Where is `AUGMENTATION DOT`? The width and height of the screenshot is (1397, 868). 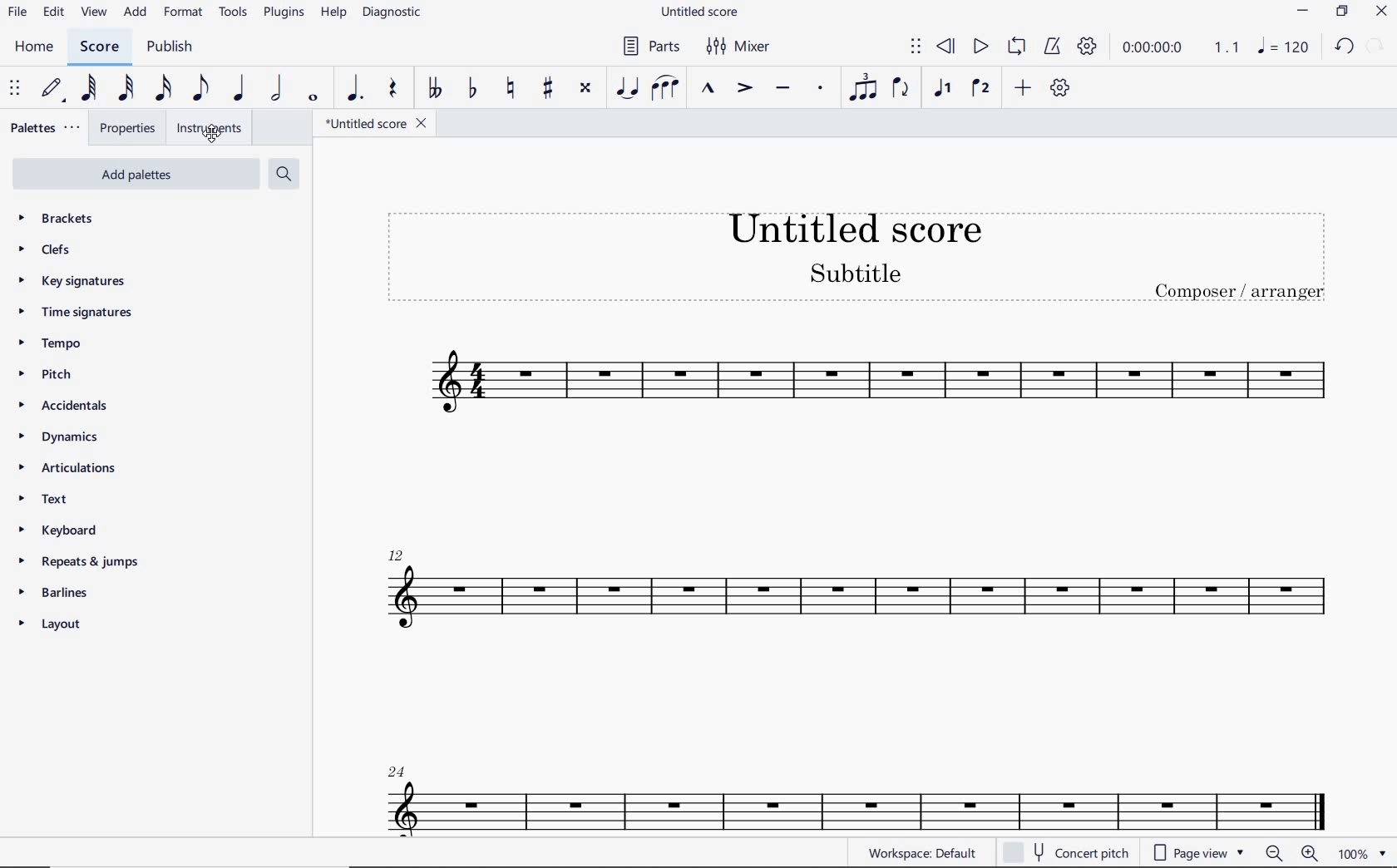 AUGMENTATION DOT is located at coordinates (353, 90).